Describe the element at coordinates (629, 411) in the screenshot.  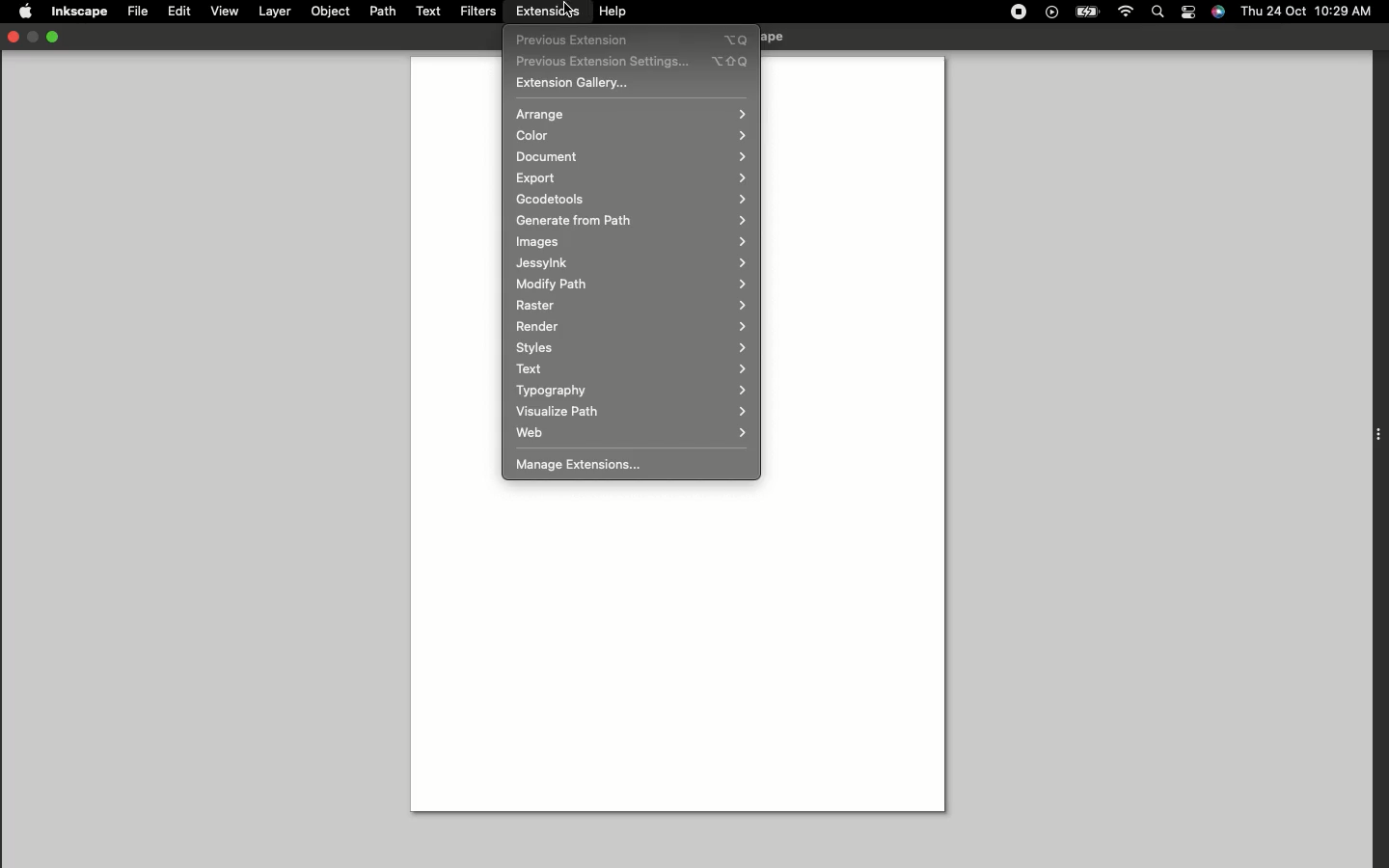
I see `Visualize path` at that location.